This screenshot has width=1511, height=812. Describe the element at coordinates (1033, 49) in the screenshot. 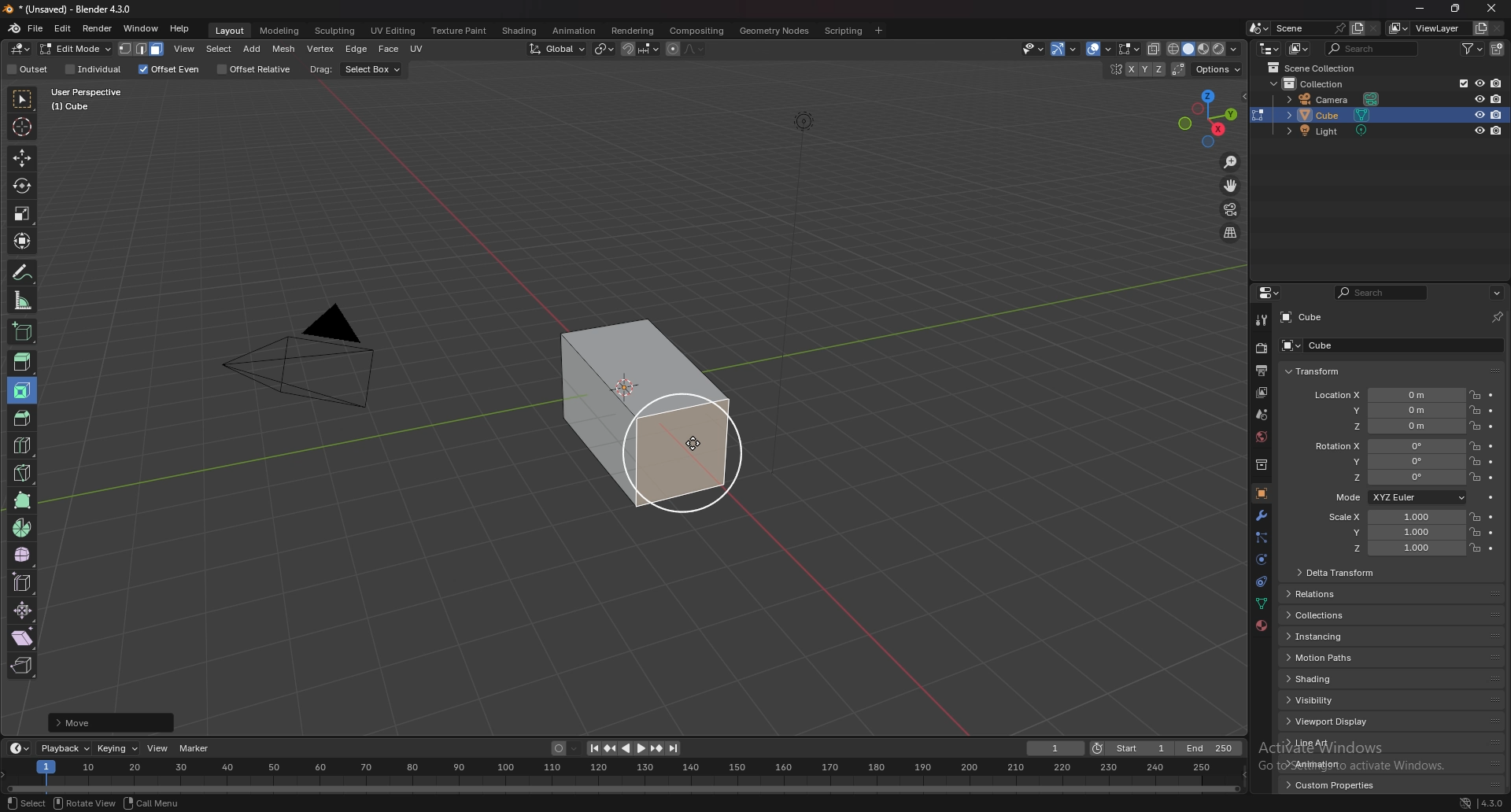

I see `selectibility and visibility` at that location.